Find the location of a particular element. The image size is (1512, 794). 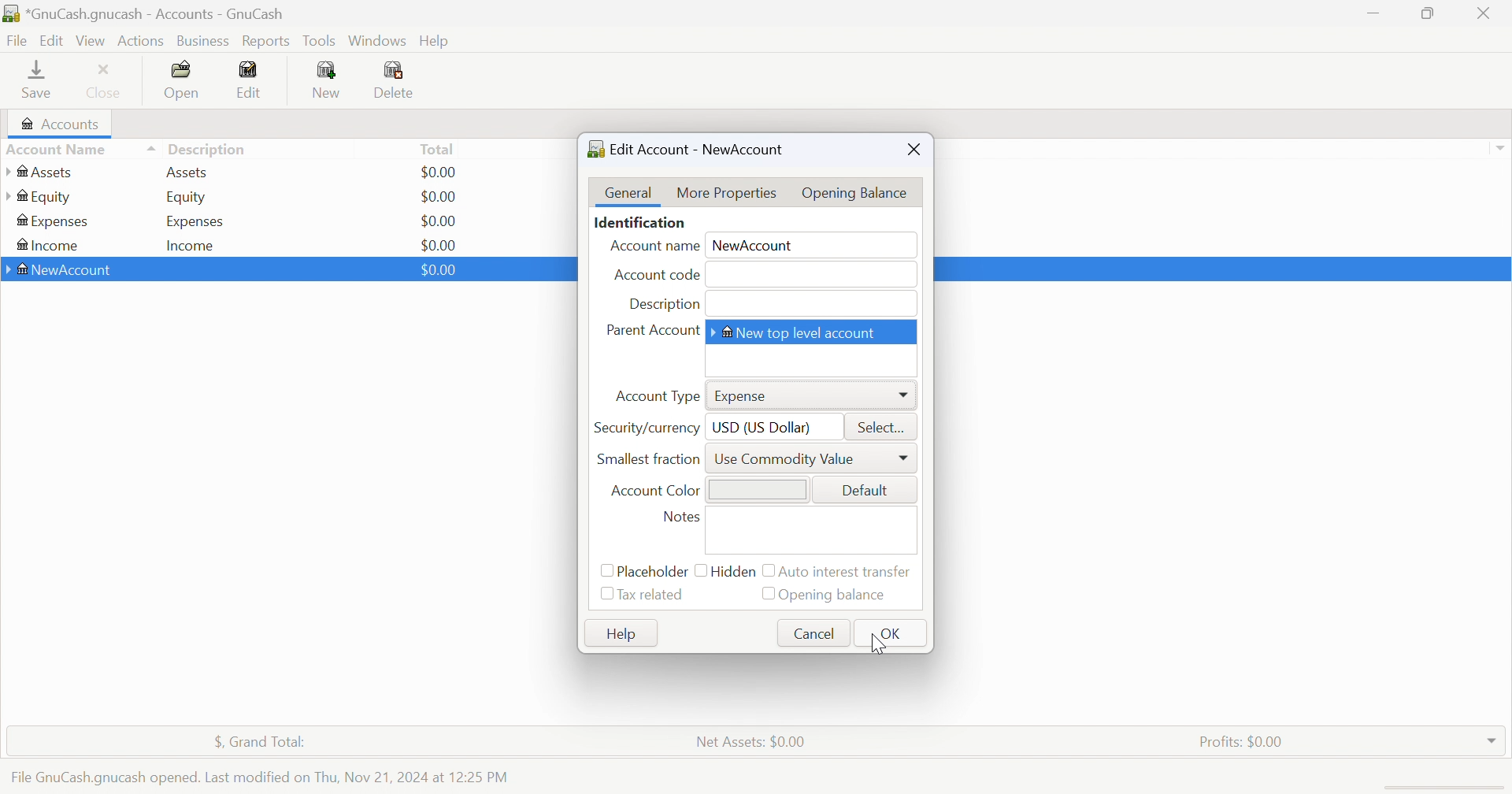

Delete is located at coordinates (398, 82).